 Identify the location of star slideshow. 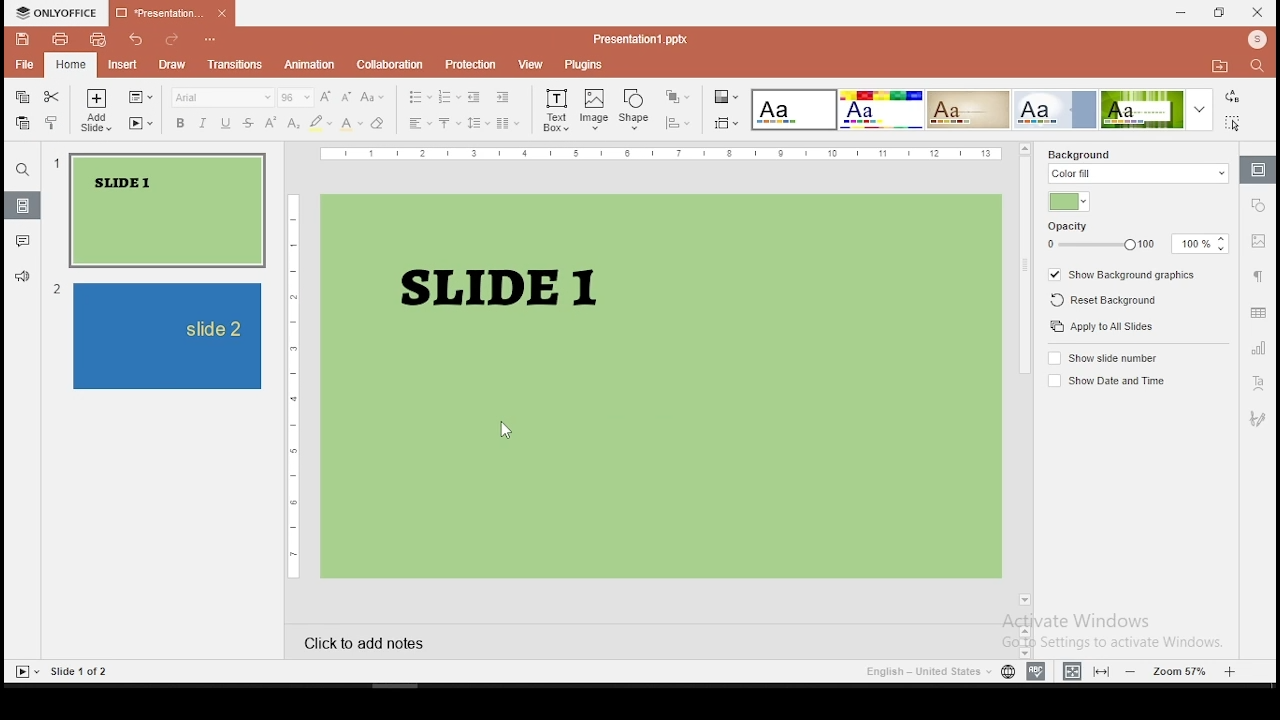
(141, 122).